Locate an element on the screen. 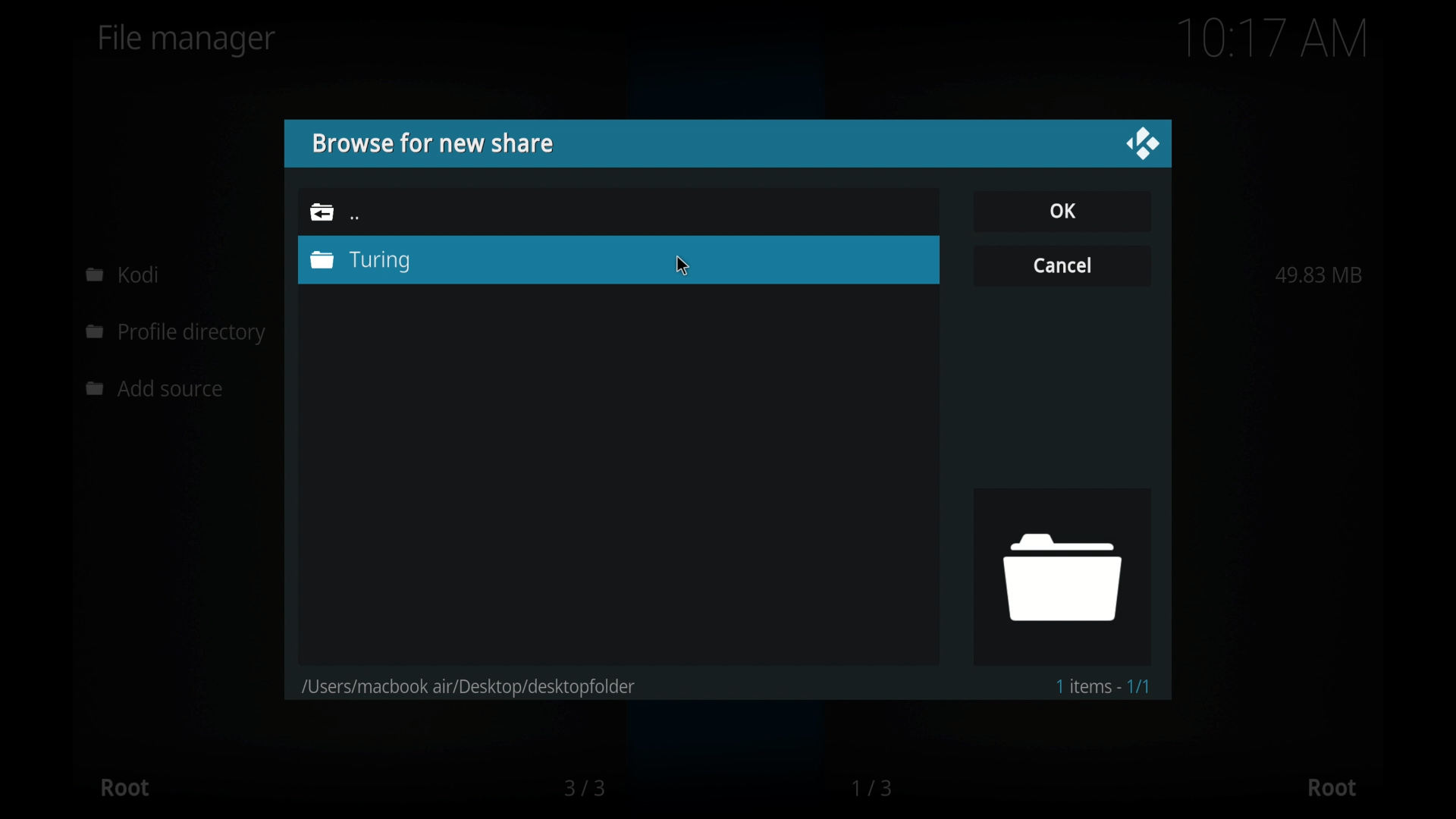 Image resolution: width=1456 pixels, height=819 pixels. kodi is located at coordinates (123, 274).